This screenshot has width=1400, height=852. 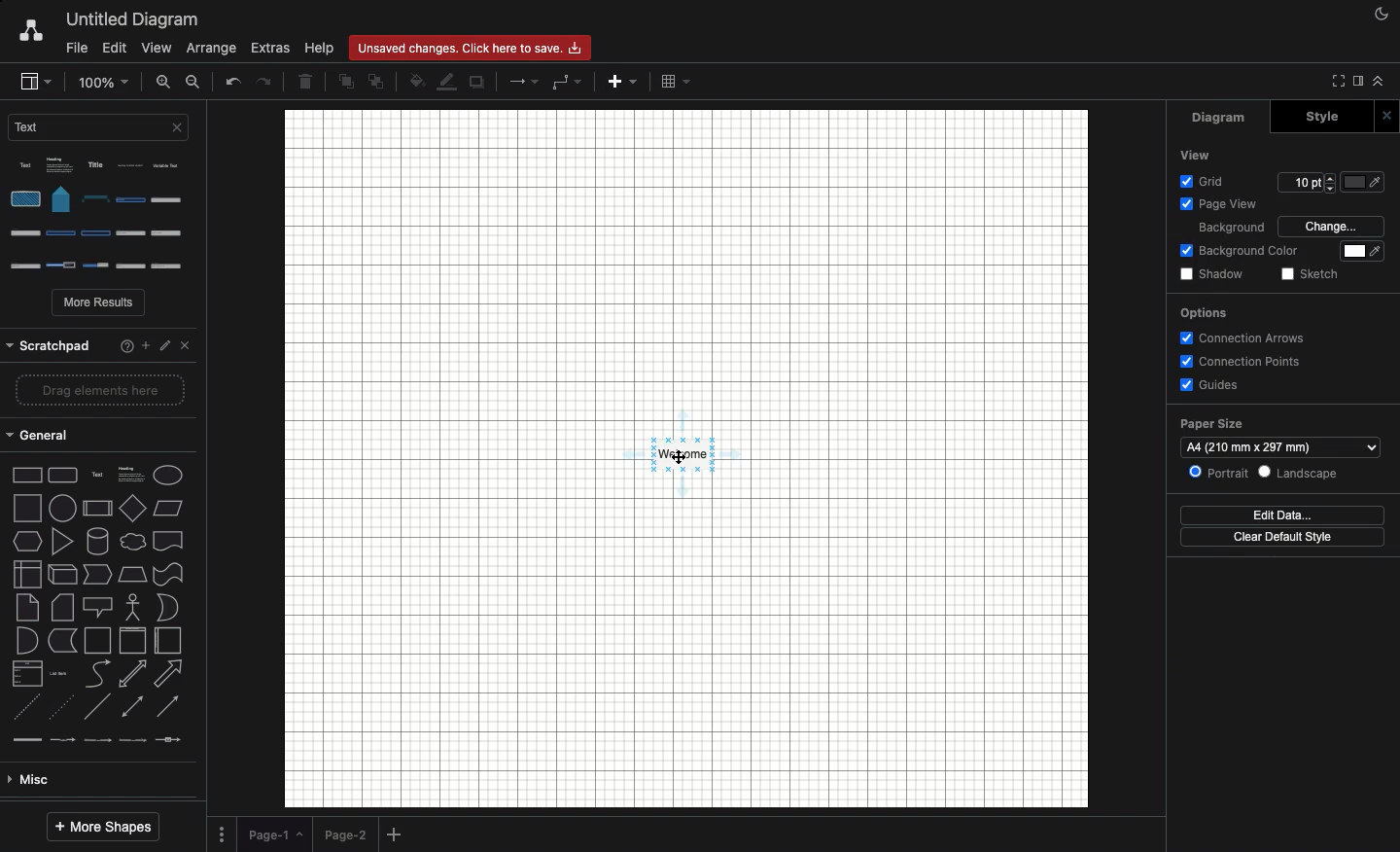 I want to click on Draw.io, so click(x=30, y=32).